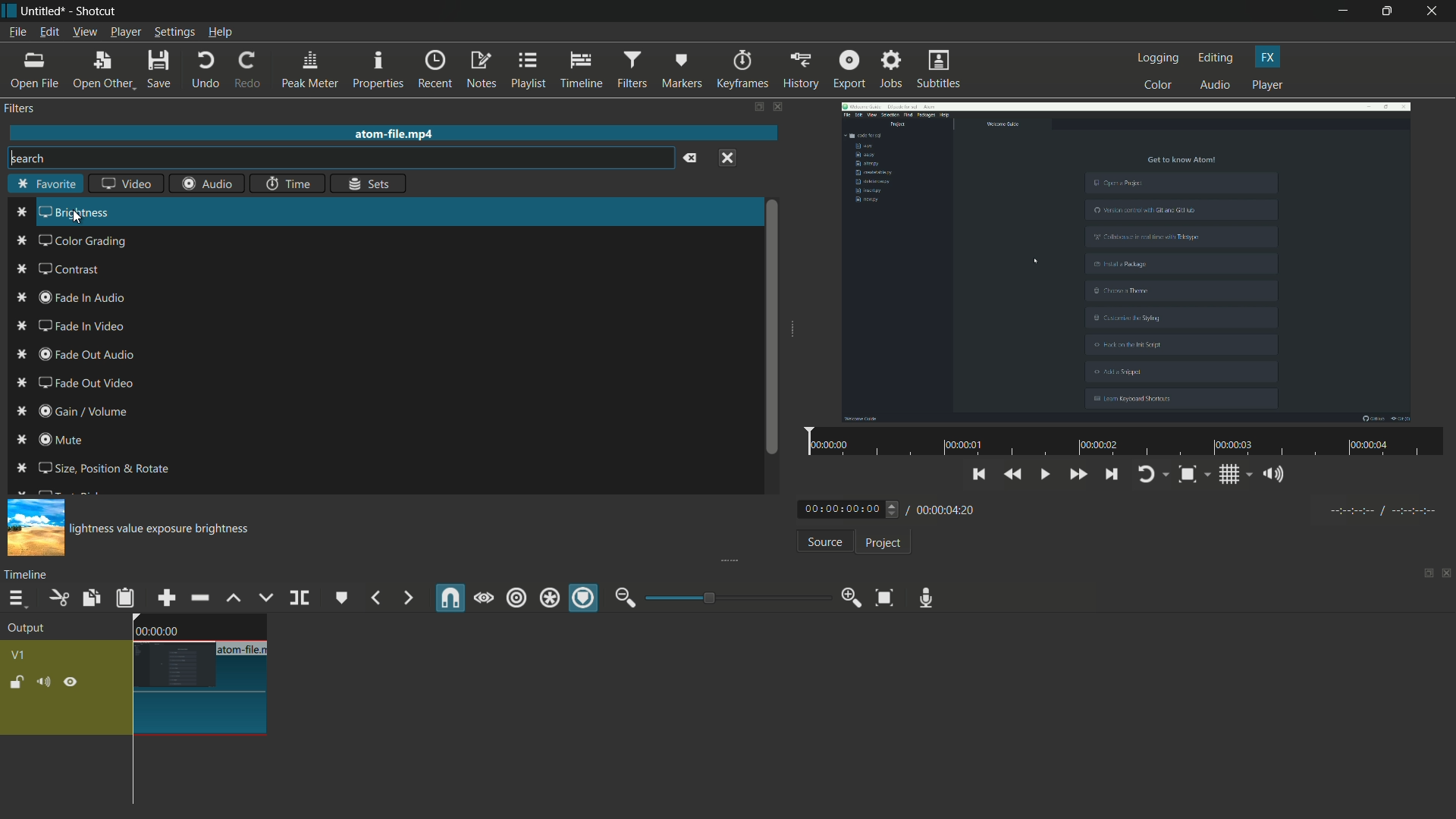 This screenshot has height=819, width=1456. I want to click on show the volume control, so click(1278, 475).